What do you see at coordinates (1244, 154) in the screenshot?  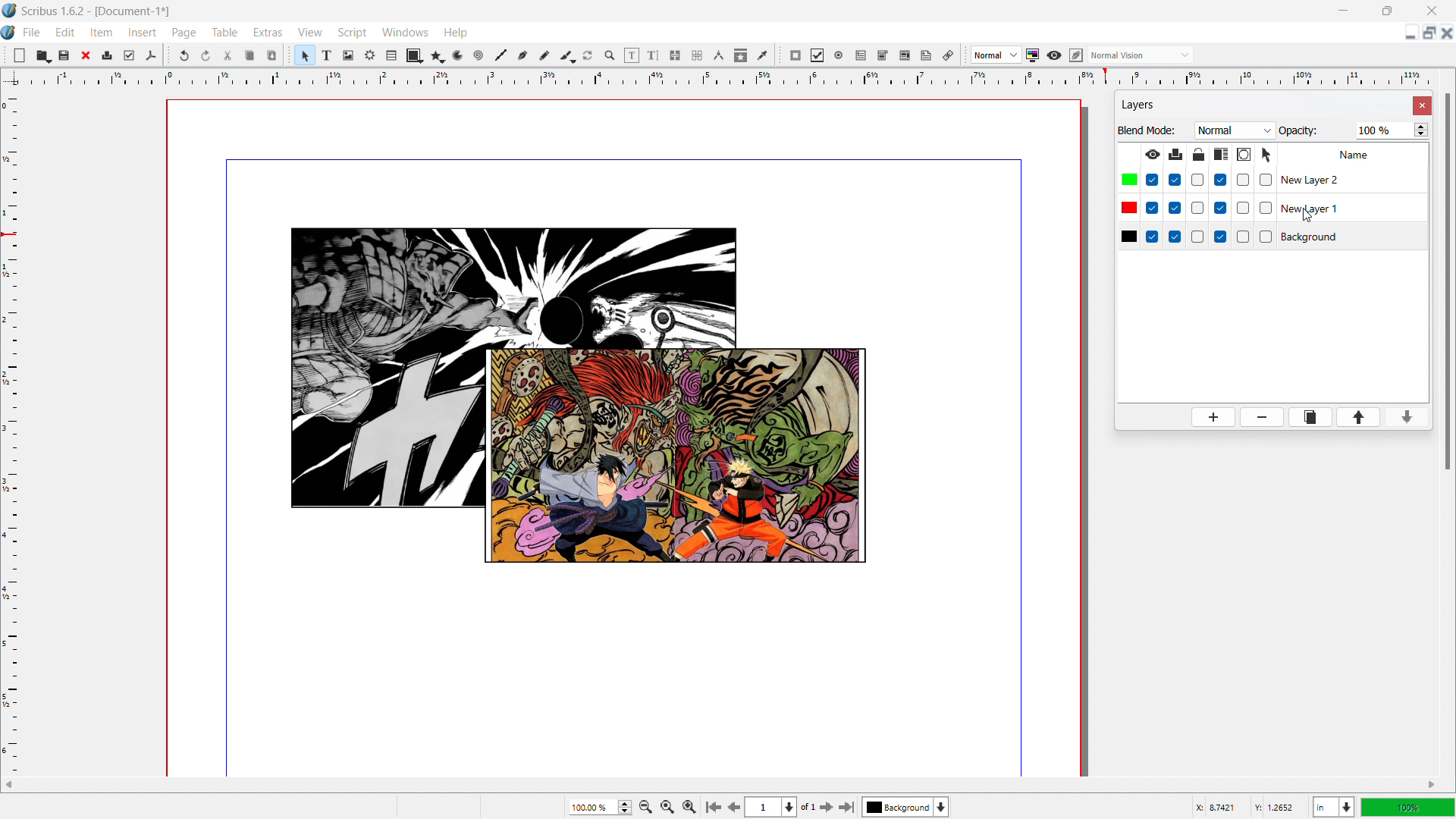 I see `outline layer` at bounding box center [1244, 154].